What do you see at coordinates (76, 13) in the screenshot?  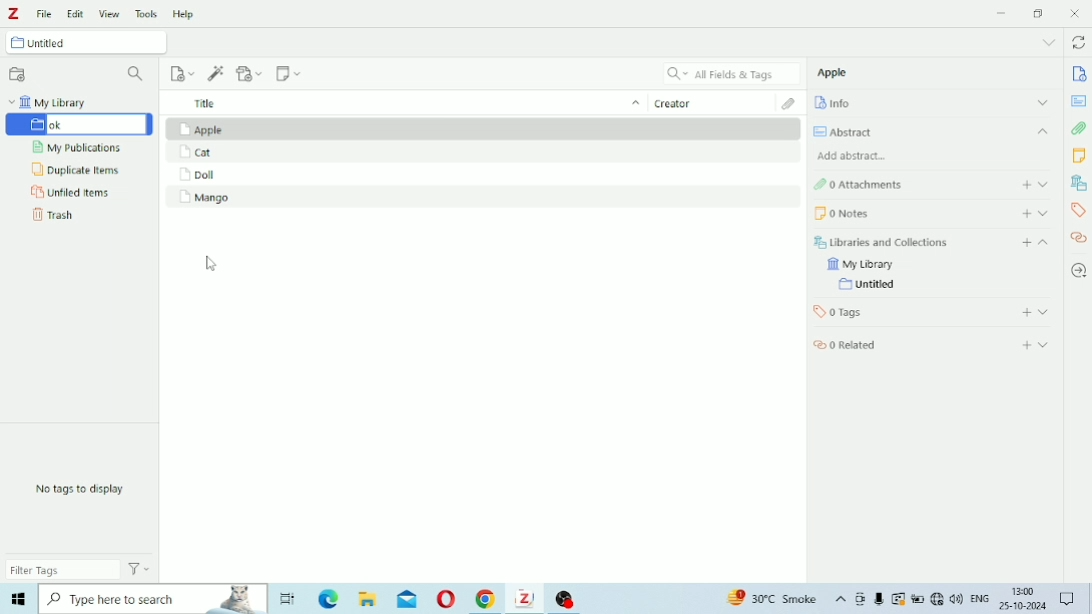 I see `Edit` at bounding box center [76, 13].